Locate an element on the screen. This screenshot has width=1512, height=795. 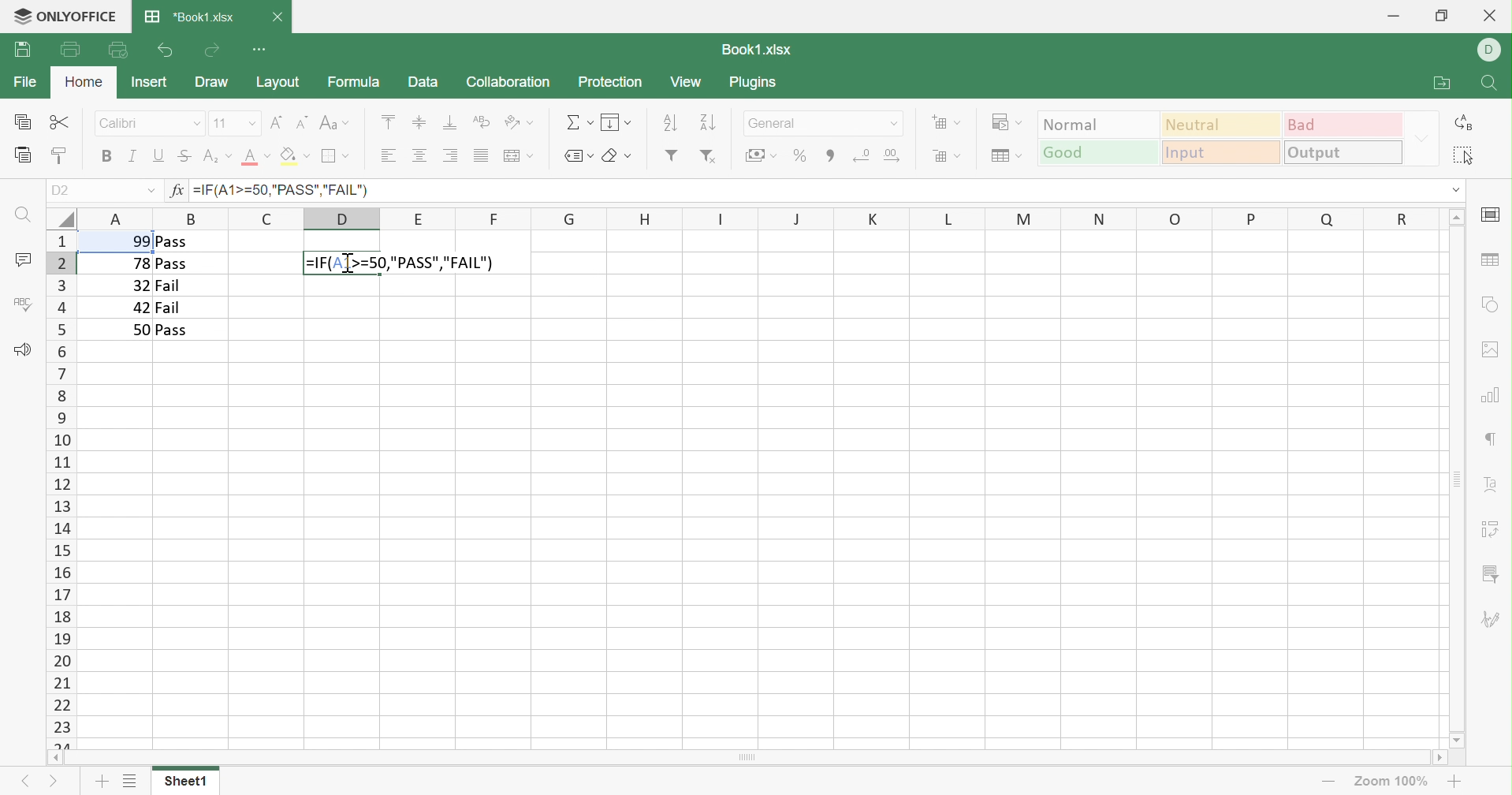
logo is located at coordinates (18, 15).